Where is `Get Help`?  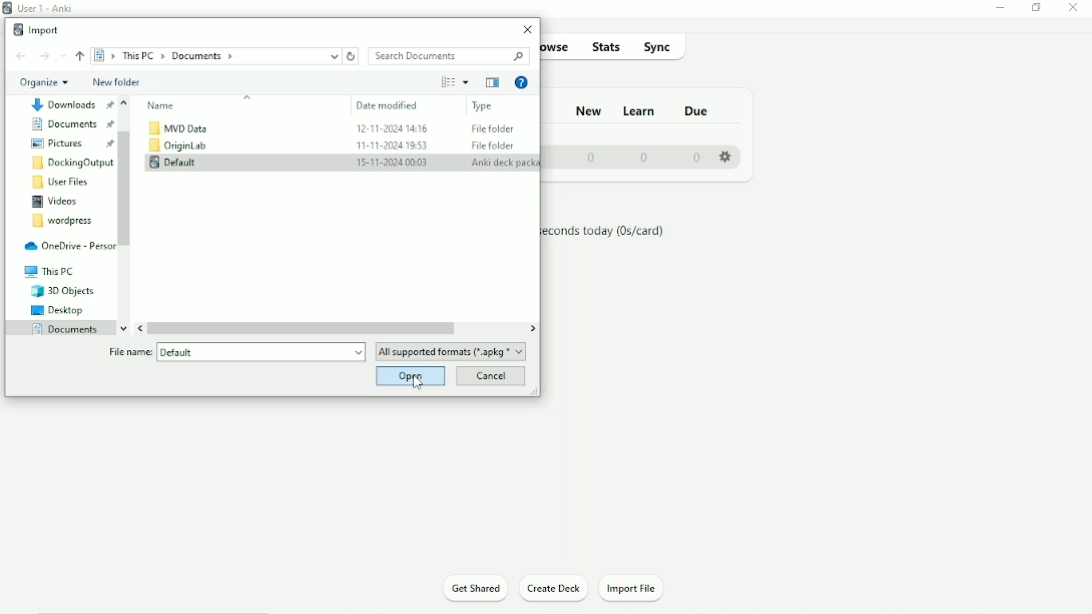 Get Help is located at coordinates (522, 83).